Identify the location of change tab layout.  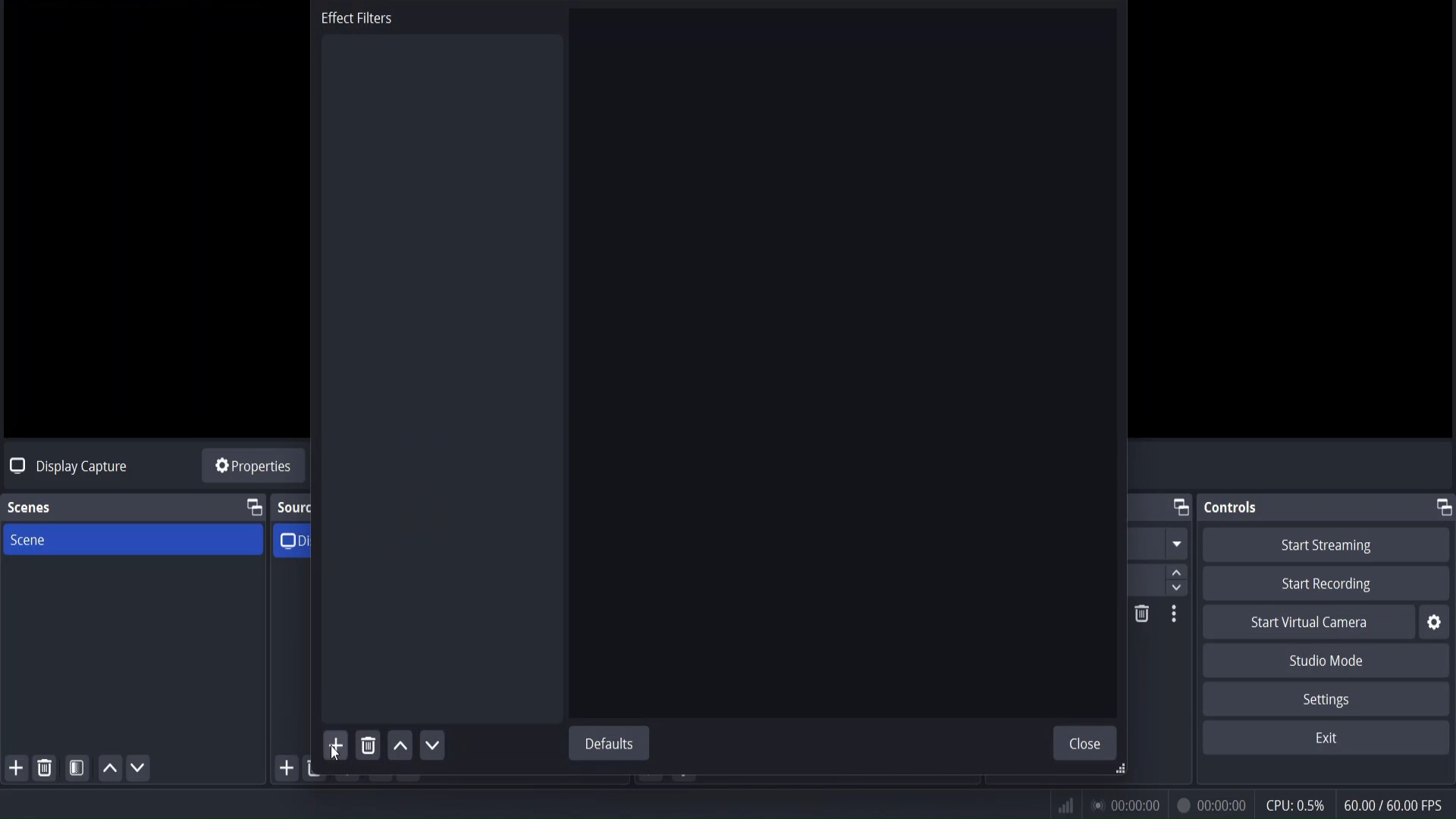
(253, 508).